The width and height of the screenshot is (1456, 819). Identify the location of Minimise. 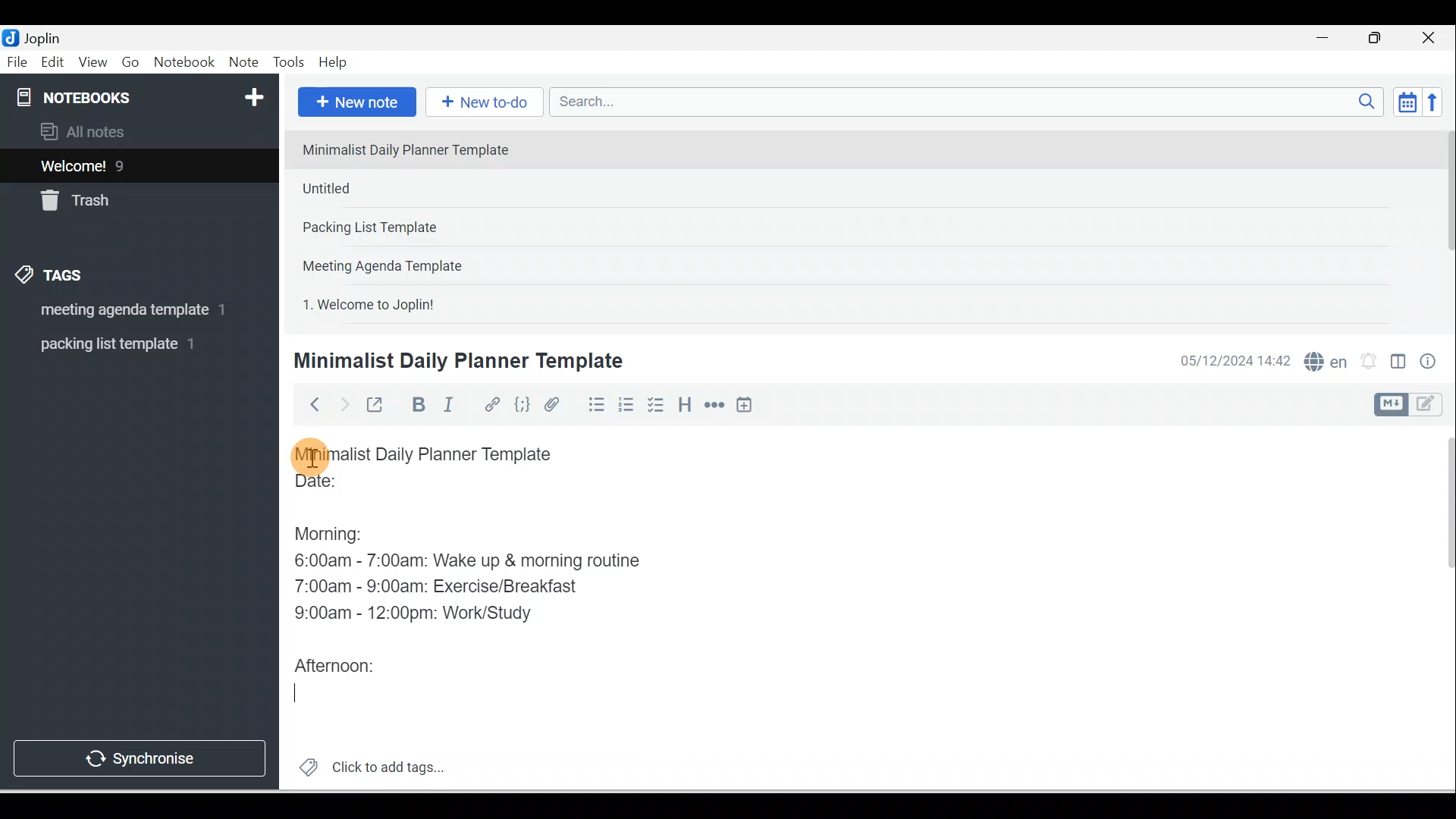
(1327, 39).